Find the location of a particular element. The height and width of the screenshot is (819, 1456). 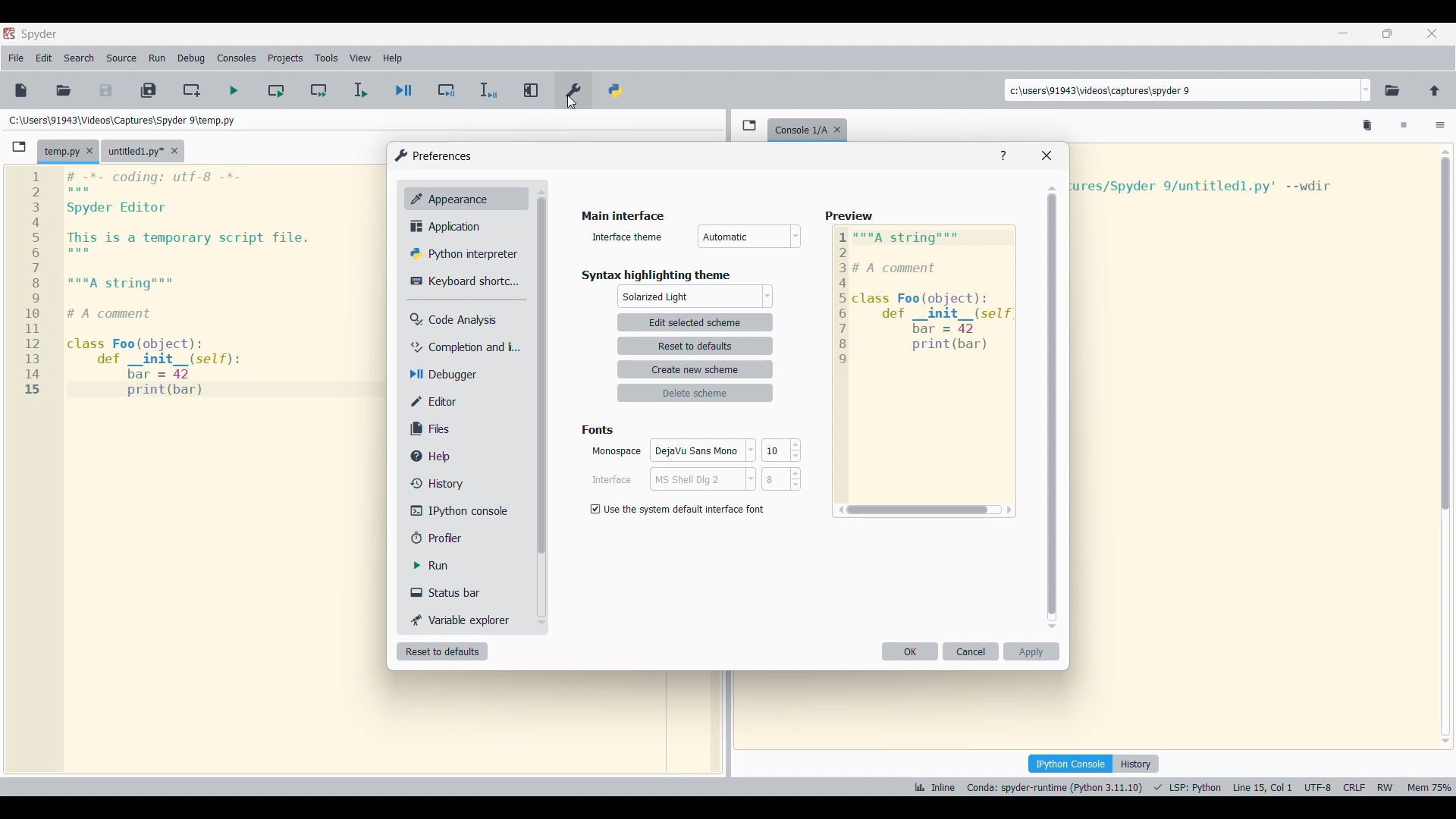

cursor is located at coordinates (574, 106).